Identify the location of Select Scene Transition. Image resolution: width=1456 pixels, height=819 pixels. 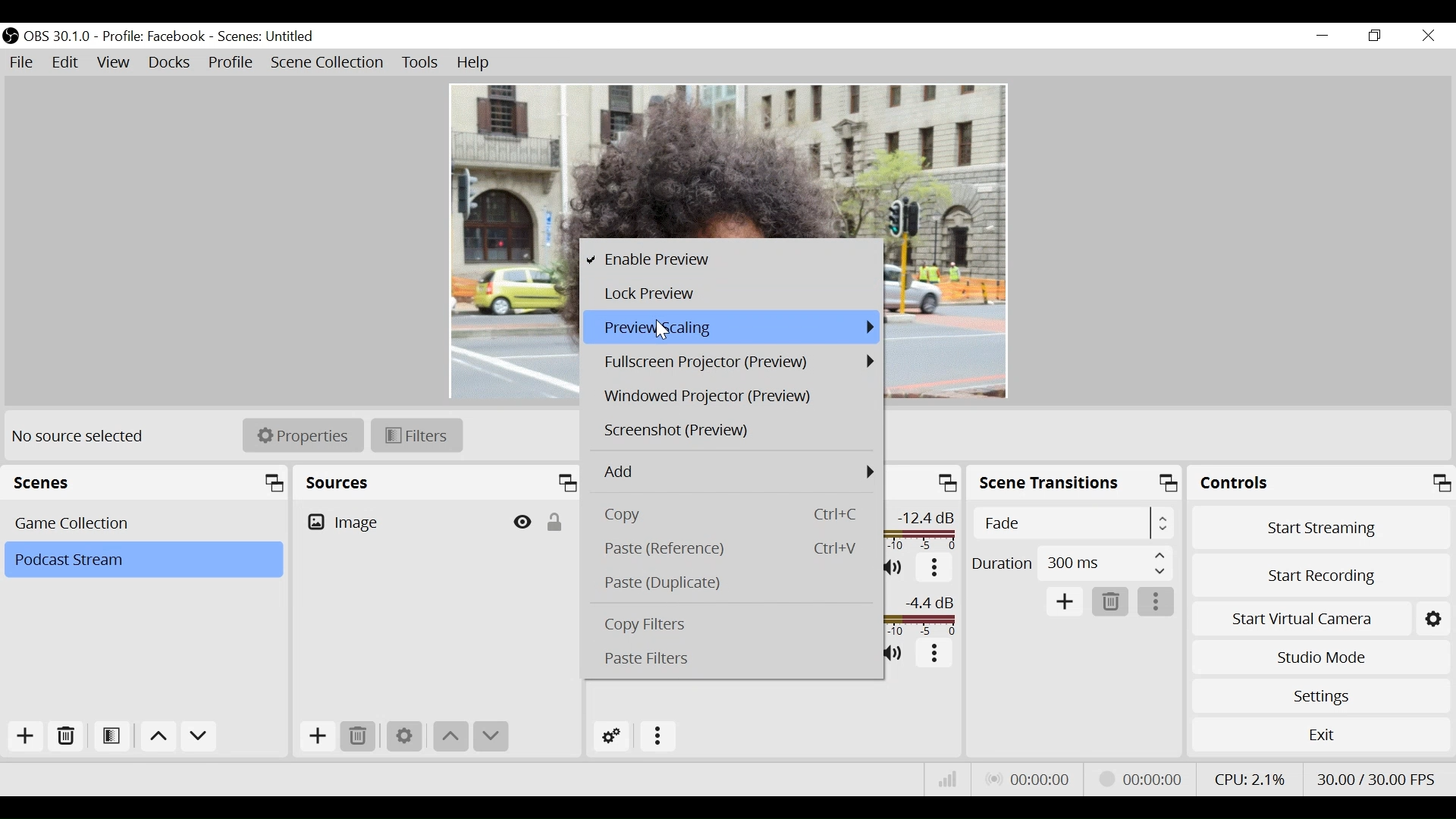
(1072, 524).